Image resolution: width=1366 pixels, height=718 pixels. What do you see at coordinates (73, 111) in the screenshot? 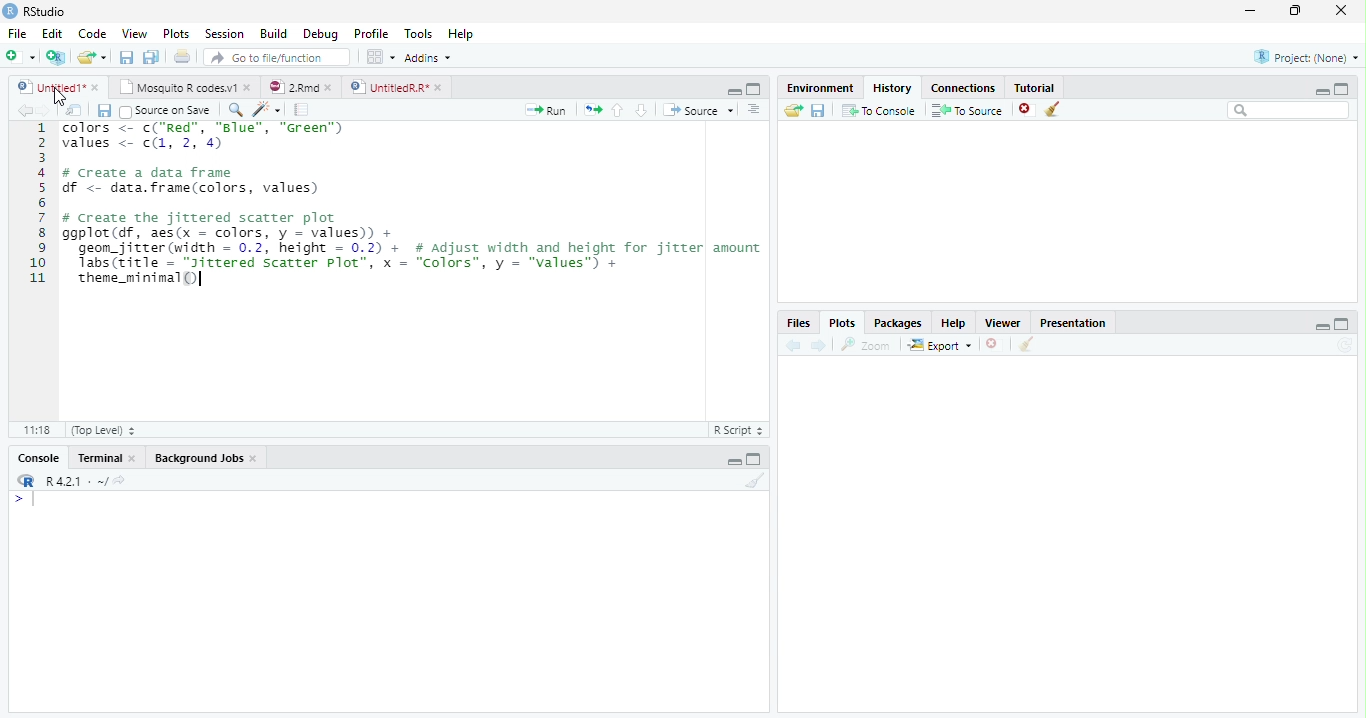
I see `Show in new window` at bounding box center [73, 111].